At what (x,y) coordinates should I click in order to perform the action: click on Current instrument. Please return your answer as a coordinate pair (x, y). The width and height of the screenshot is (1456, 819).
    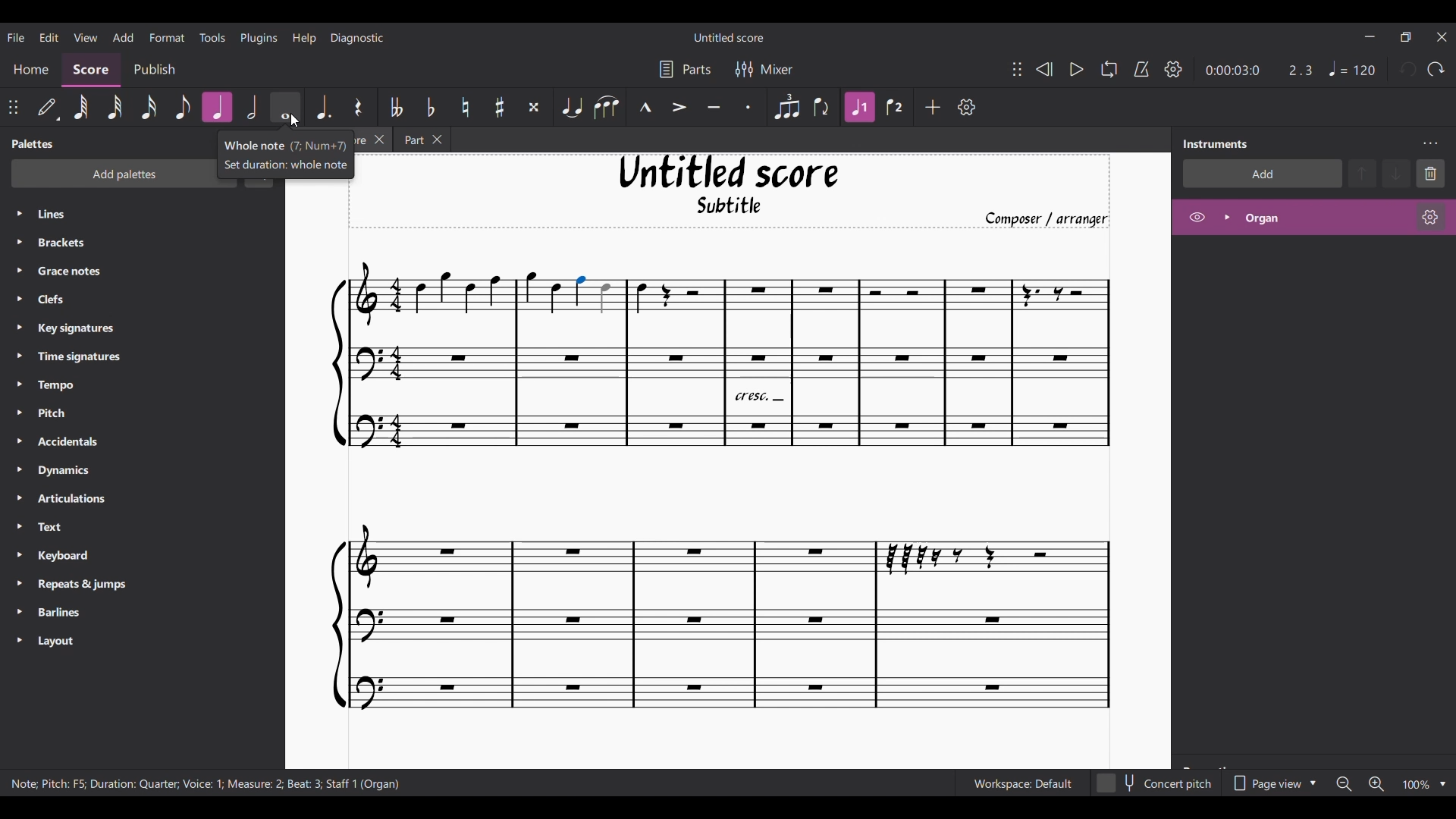
    Looking at the image, I should click on (1325, 218).